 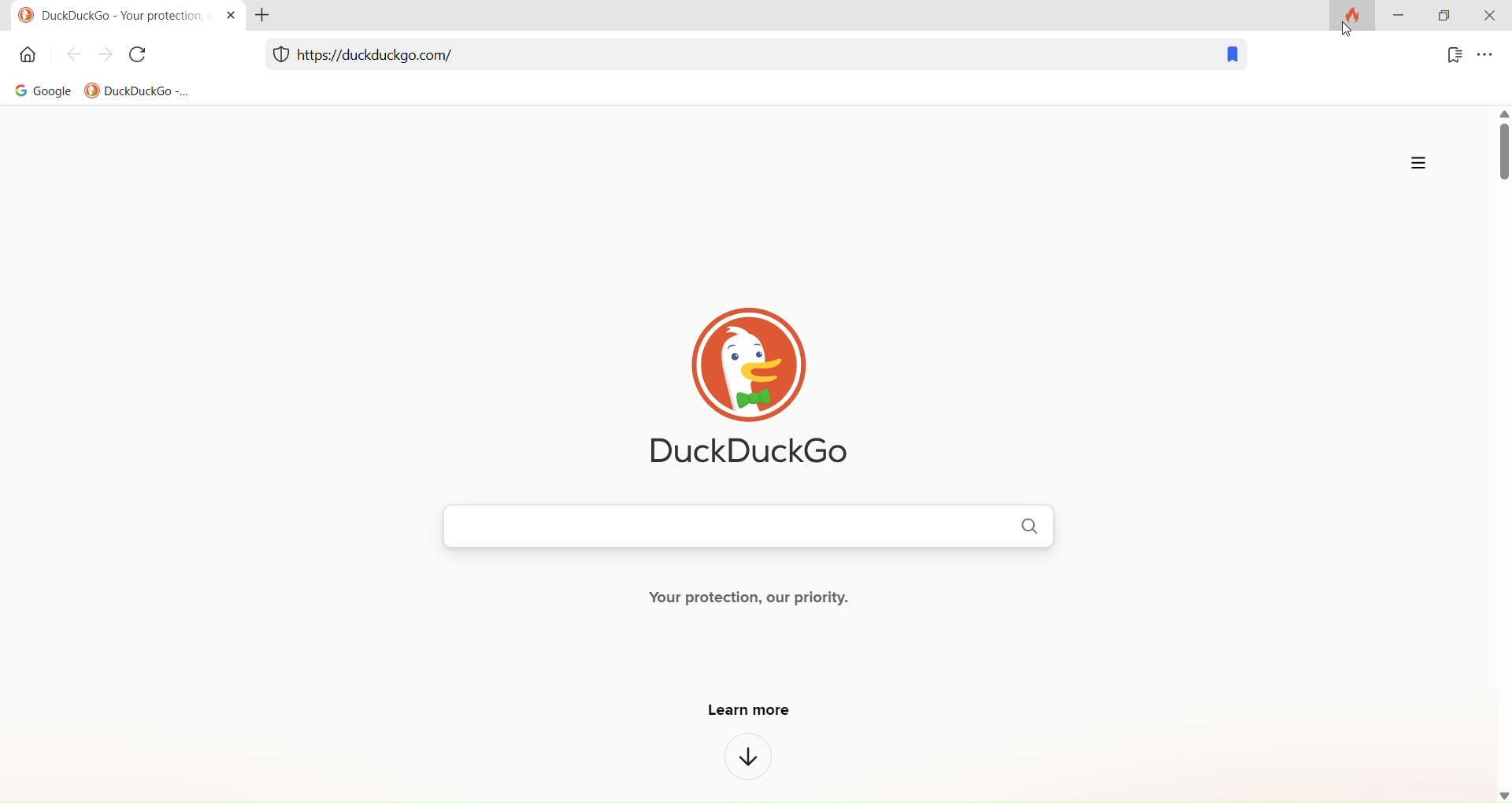 What do you see at coordinates (104, 16) in the screenshot?
I see `DuckDuckGoo - Your protection` at bounding box center [104, 16].